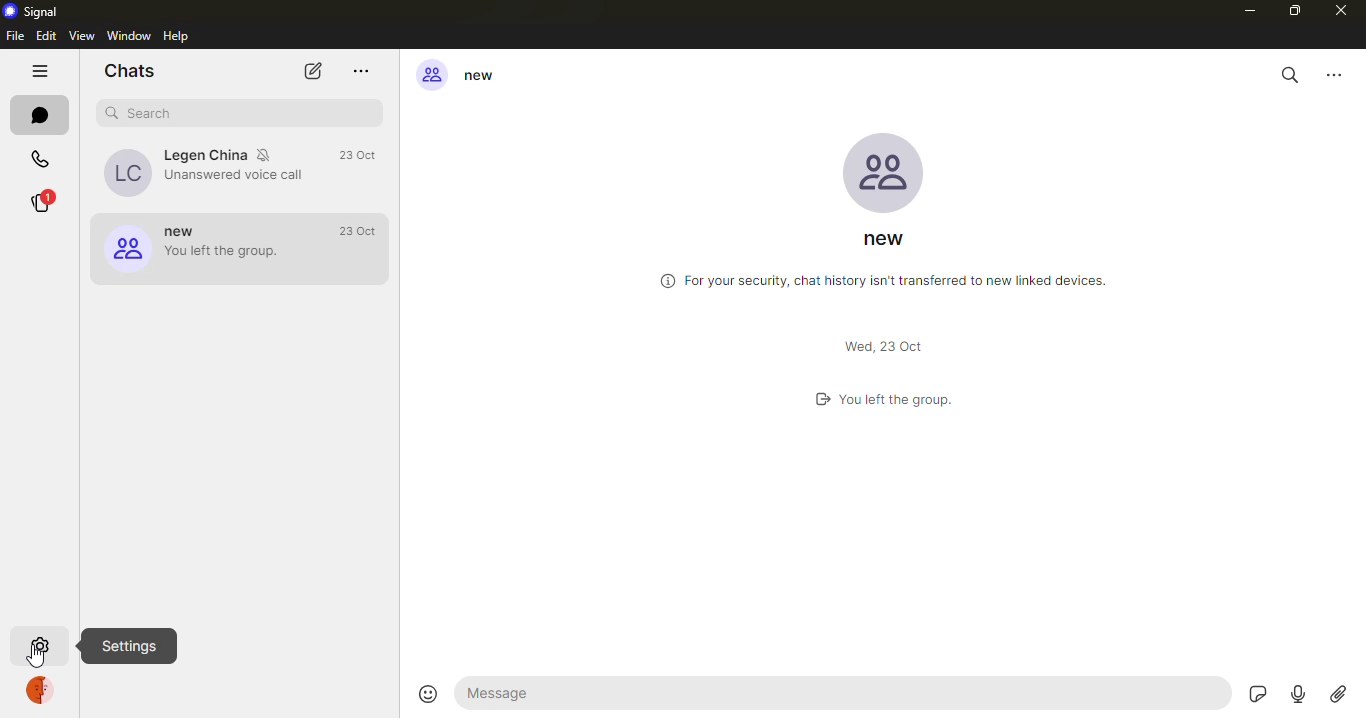 This screenshot has height=718, width=1366. What do you see at coordinates (358, 155) in the screenshot?
I see `date` at bounding box center [358, 155].